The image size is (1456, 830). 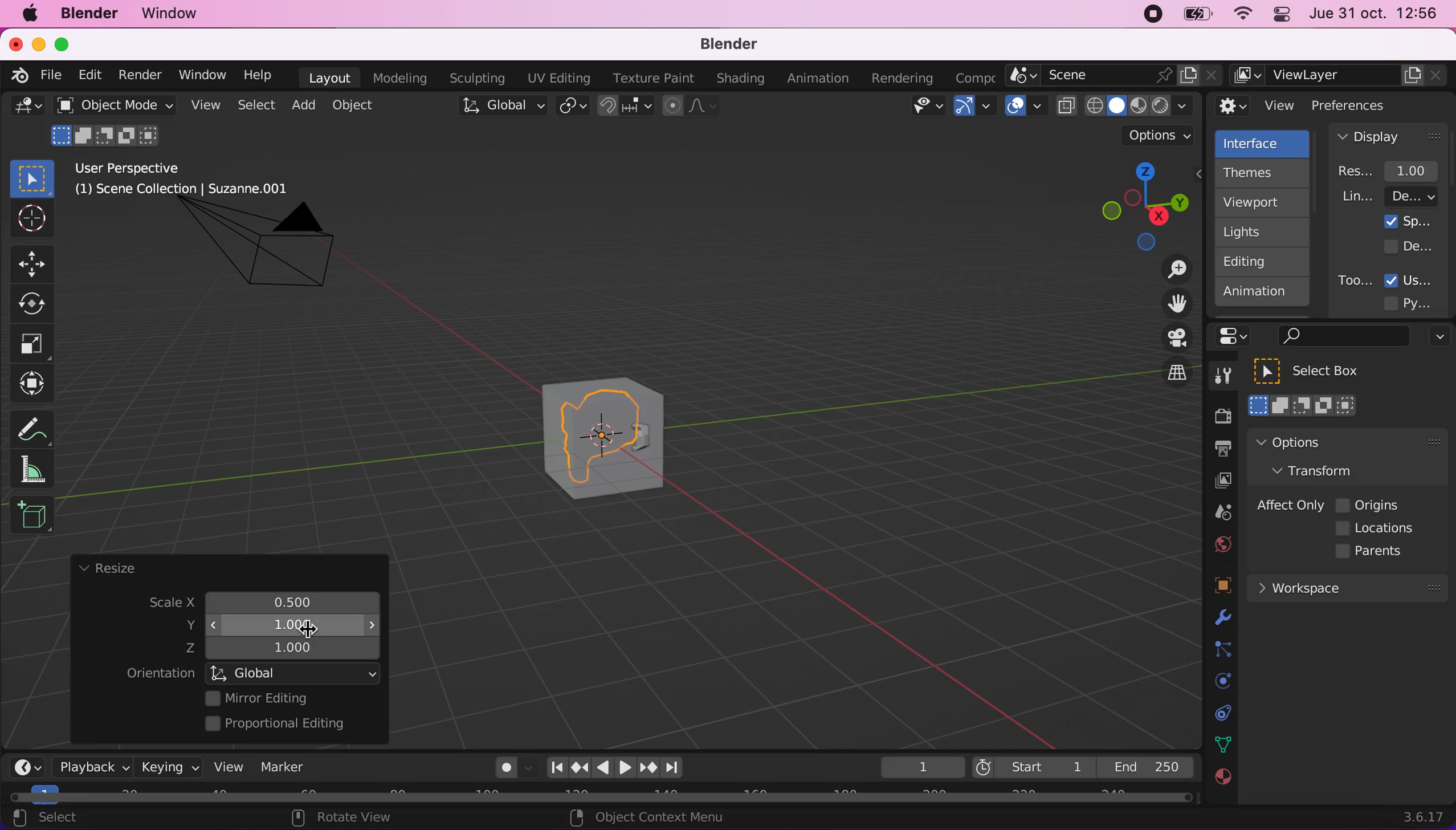 I want to click on modeling, so click(x=398, y=79).